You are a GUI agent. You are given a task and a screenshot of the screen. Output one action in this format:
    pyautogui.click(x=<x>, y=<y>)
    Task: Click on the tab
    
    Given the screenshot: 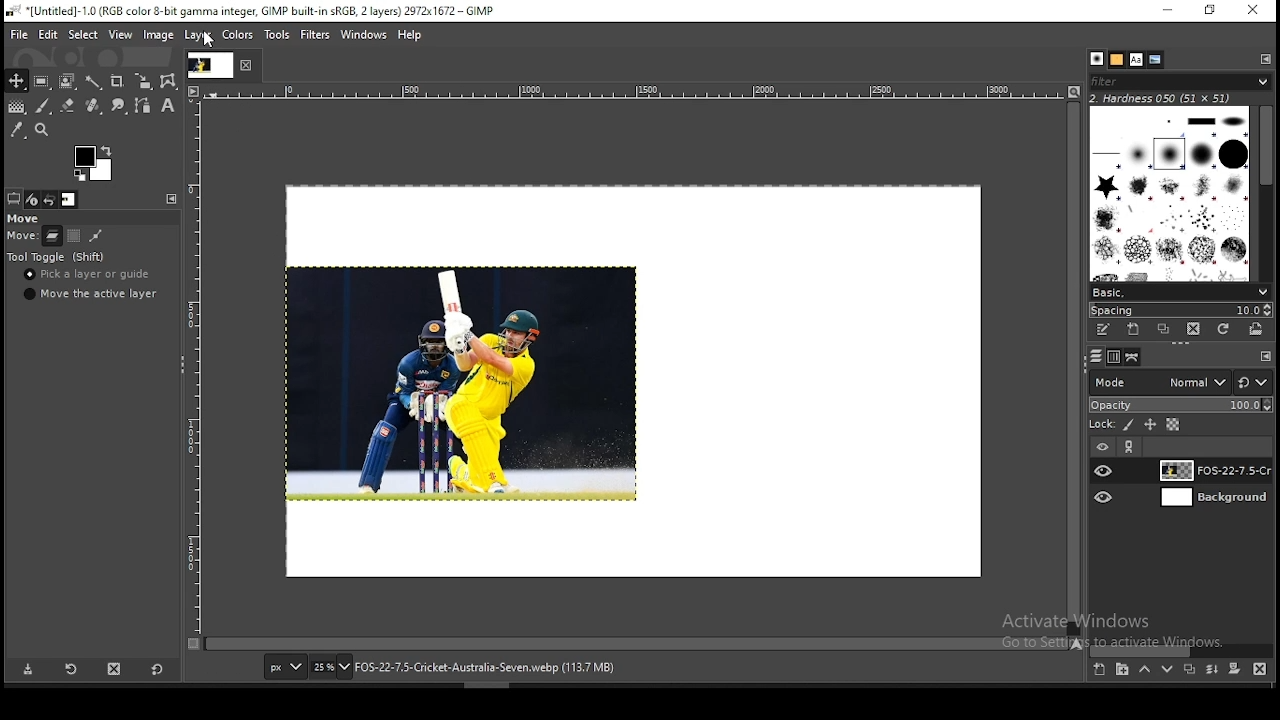 What is the action you would take?
    pyautogui.click(x=209, y=65)
    